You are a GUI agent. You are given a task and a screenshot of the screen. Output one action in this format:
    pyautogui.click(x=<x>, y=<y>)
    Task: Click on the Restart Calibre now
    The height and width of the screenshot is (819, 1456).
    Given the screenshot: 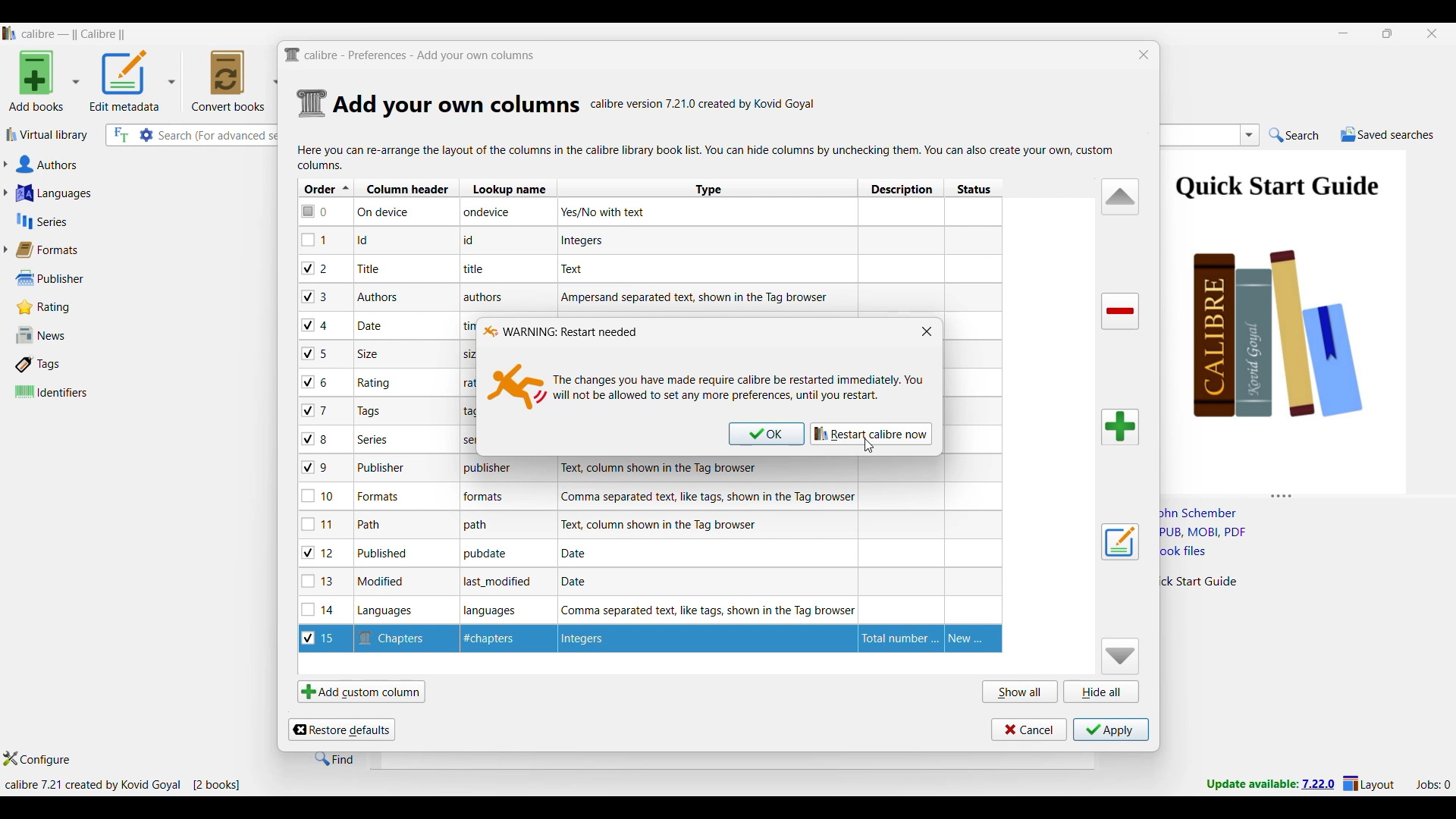 What is the action you would take?
    pyautogui.click(x=871, y=434)
    